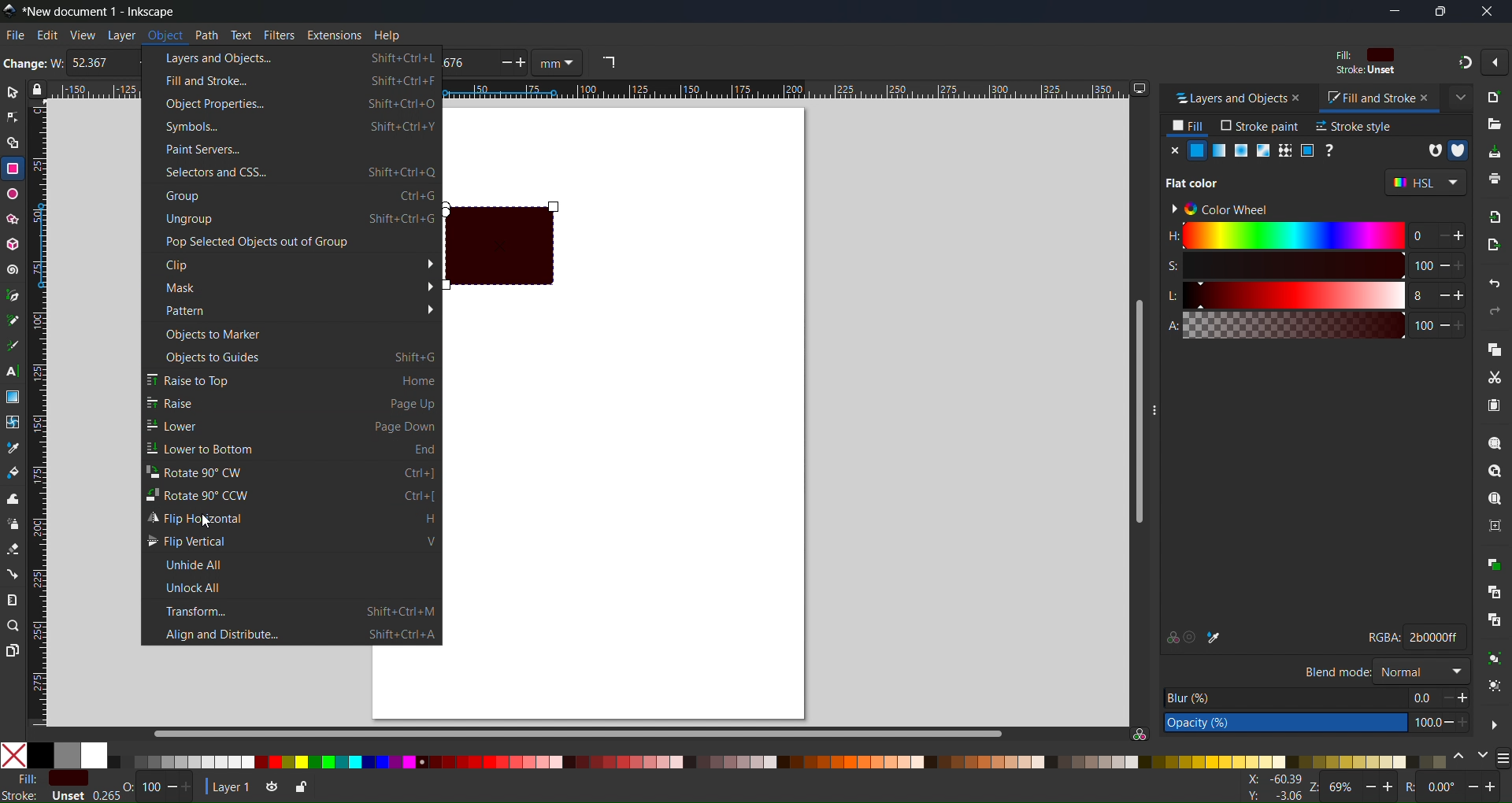  I want to click on Vertical Drag window, so click(1162, 403).